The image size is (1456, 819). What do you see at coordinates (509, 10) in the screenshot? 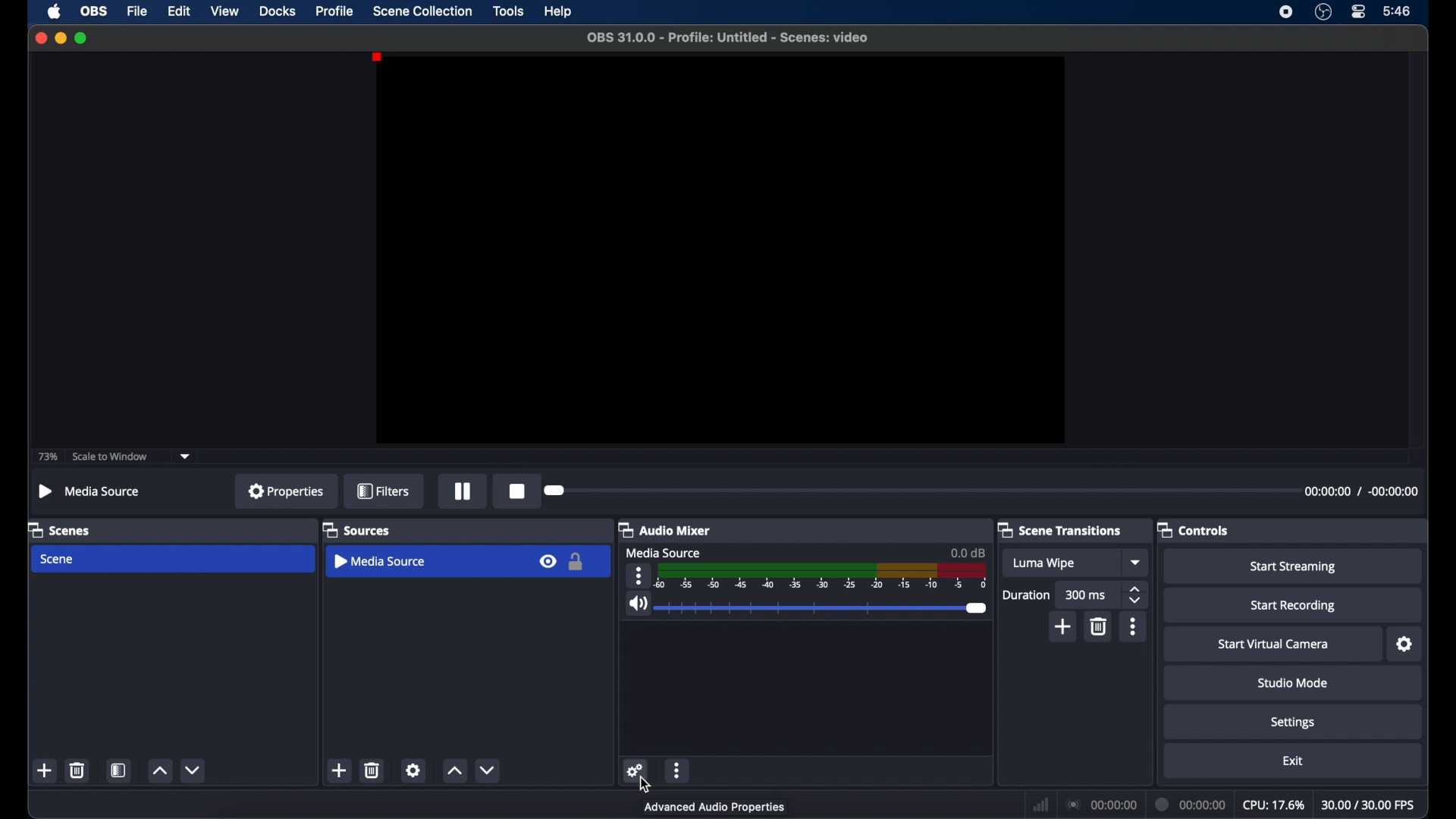
I see `tools` at bounding box center [509, 10].